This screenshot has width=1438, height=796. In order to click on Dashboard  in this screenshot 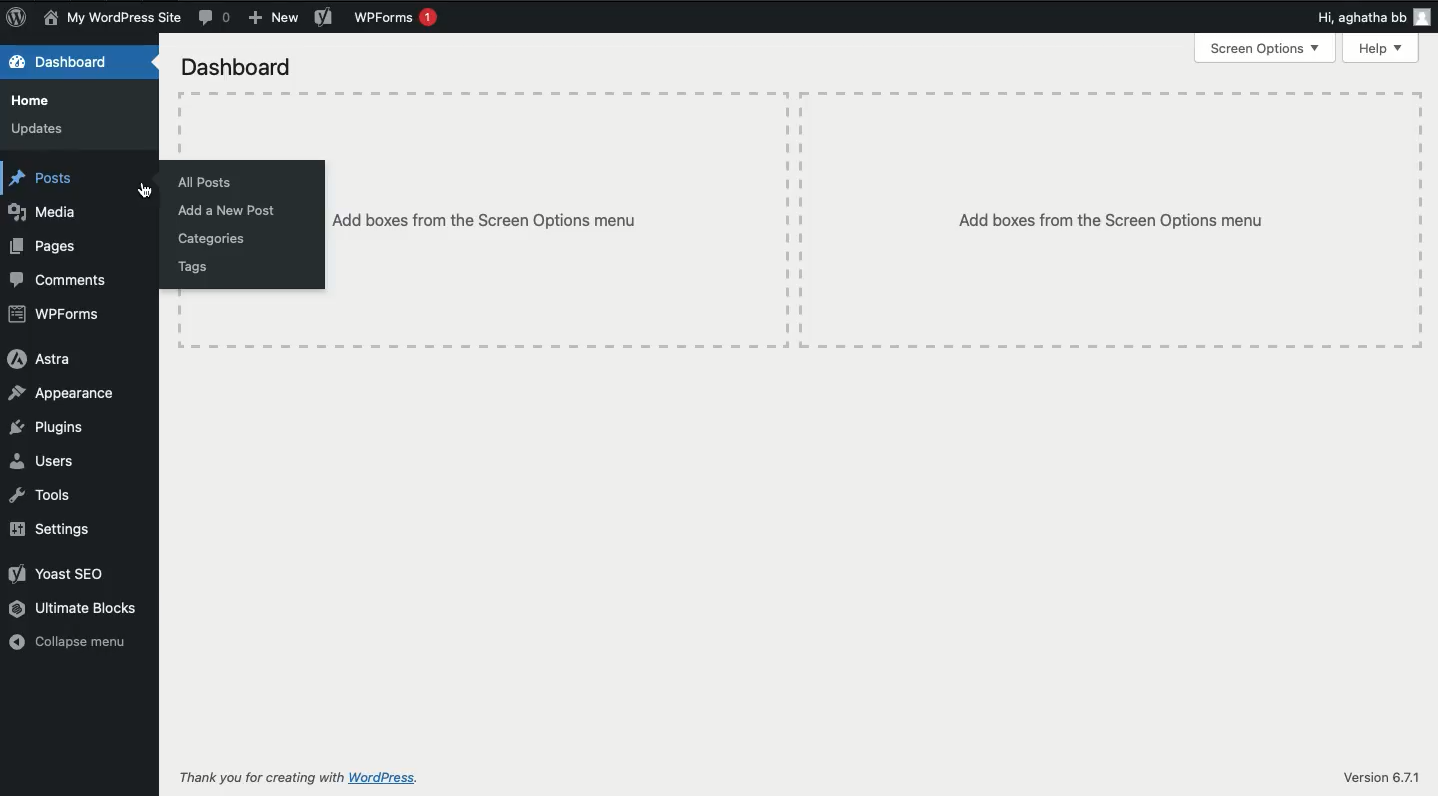, I will do `click(243, 70)`.